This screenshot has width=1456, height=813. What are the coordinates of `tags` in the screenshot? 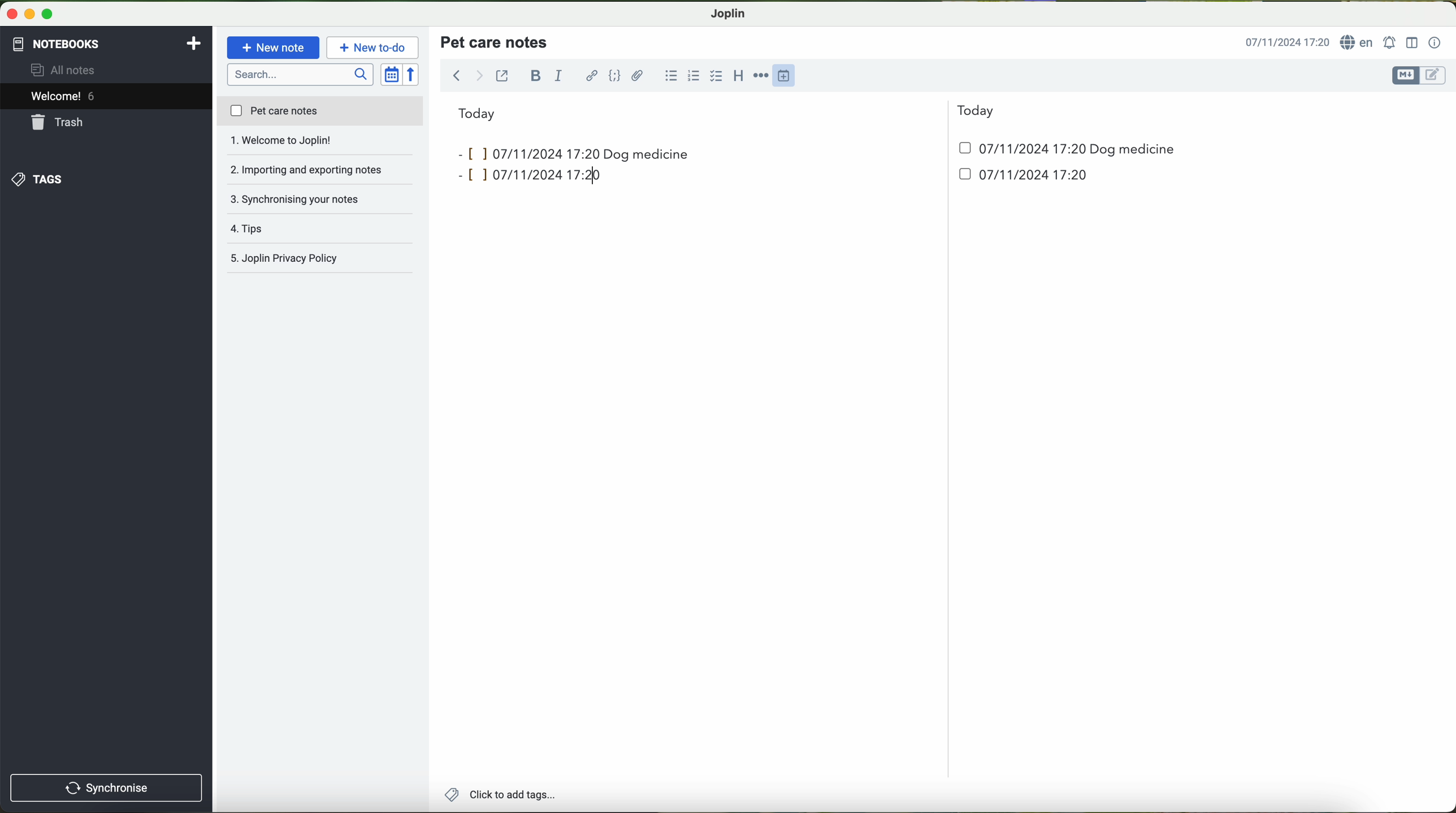 It's located at (36, 179).